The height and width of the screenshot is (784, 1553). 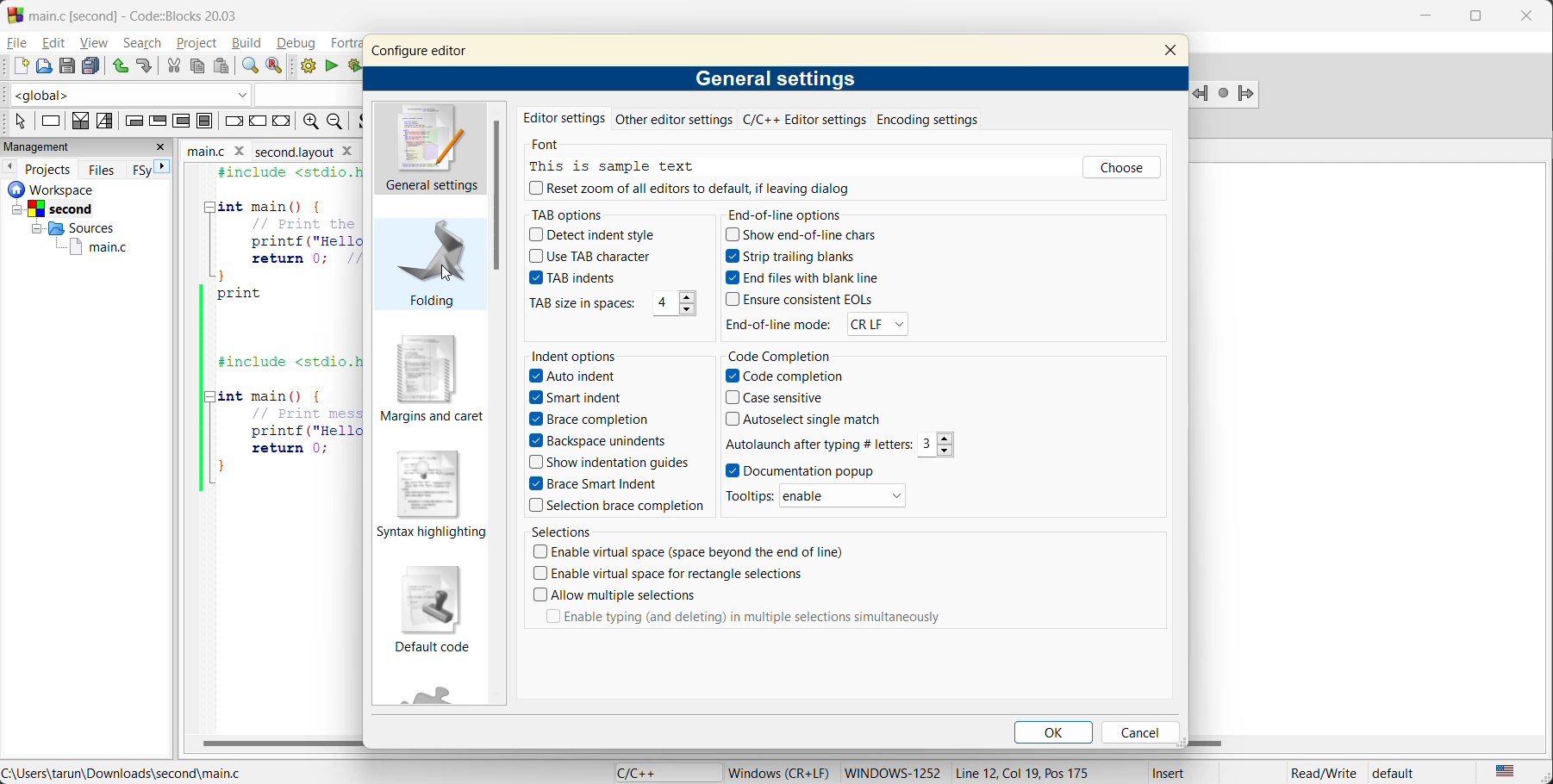 I want to click on block instruction, so click(x=204, y=121).